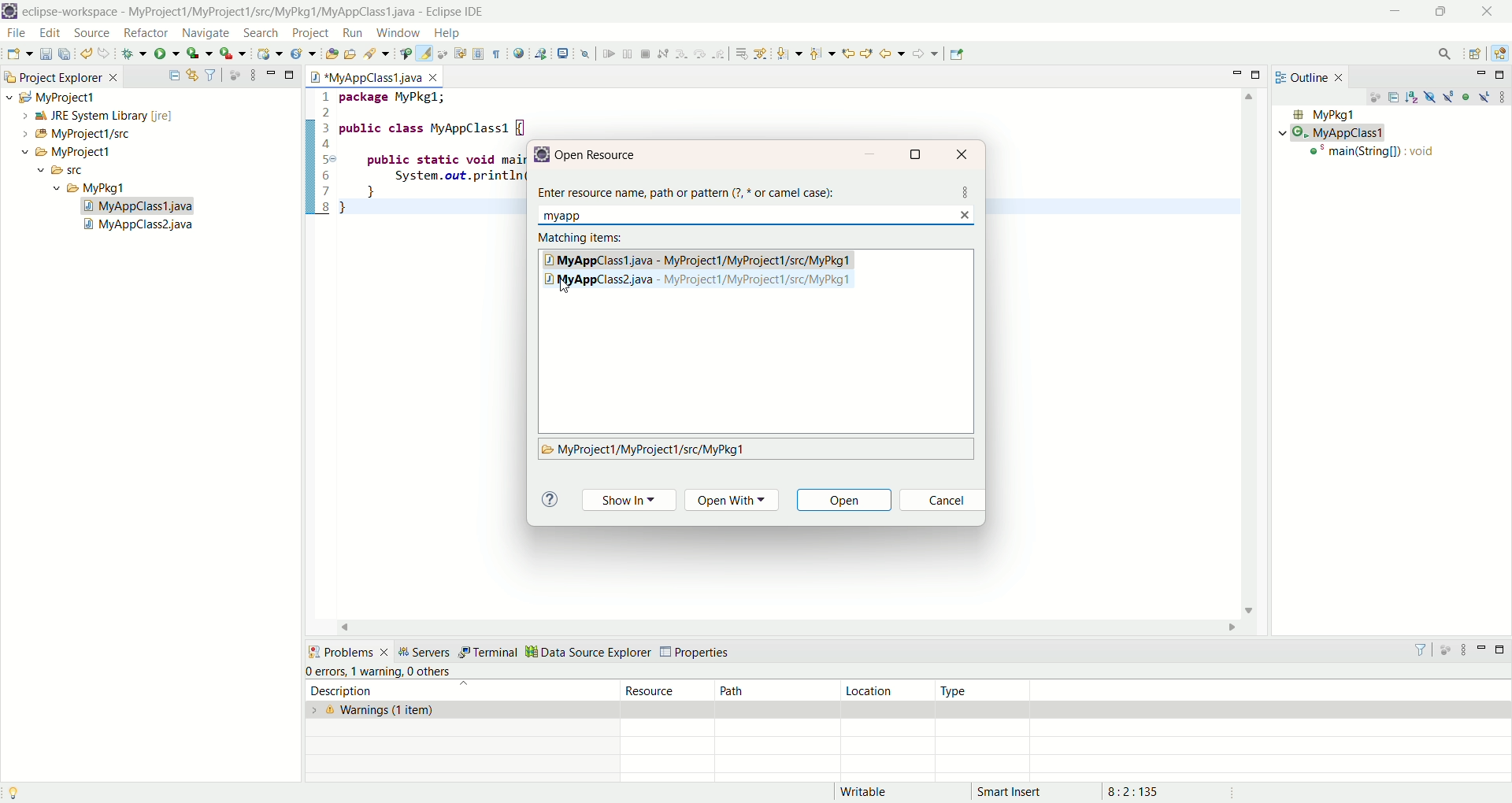  Describe the element at coordinates (736, 501) in the screenshot. I see `open with` at that location.